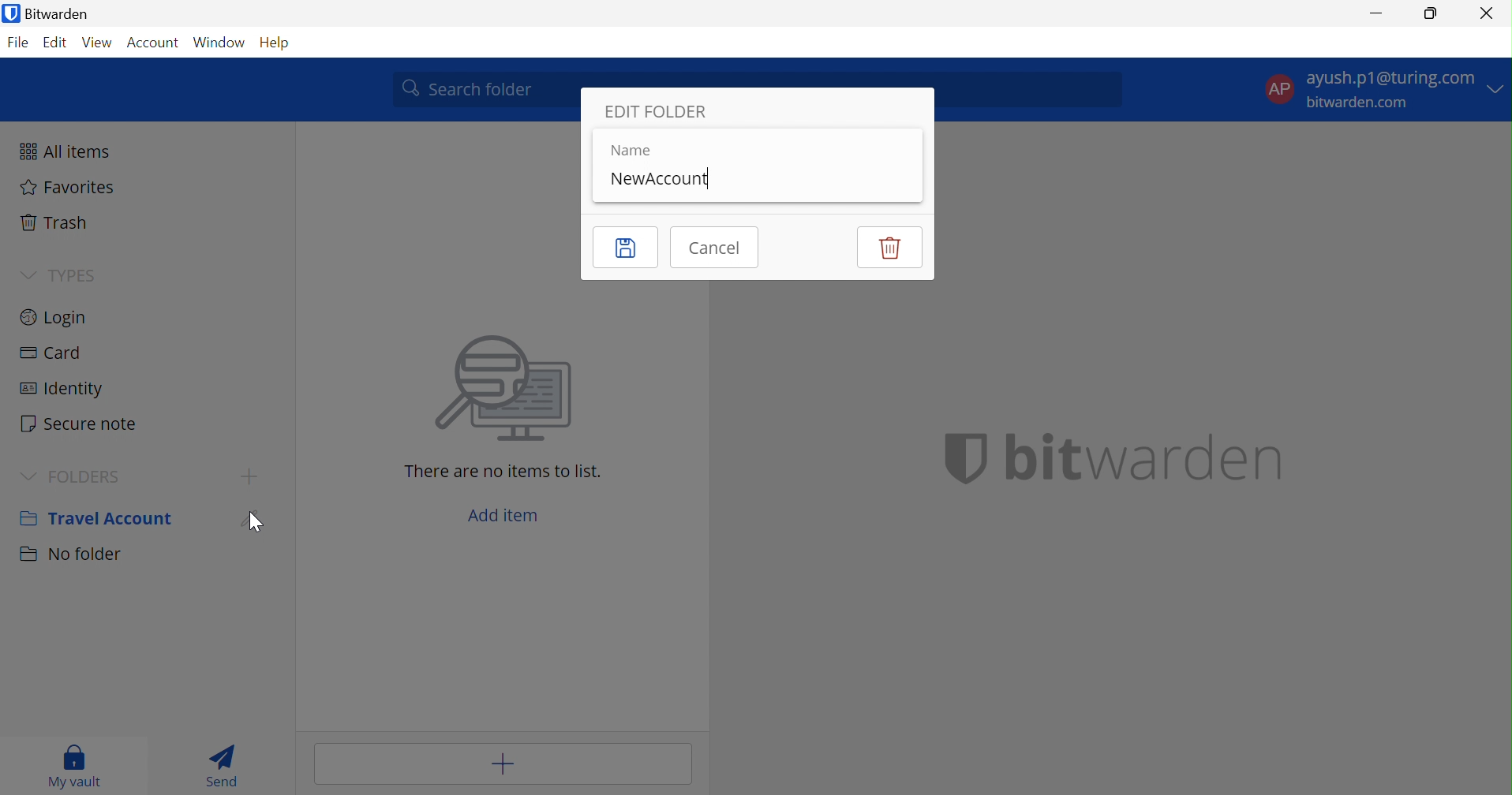 This screenshot has width=1512, height=795. Describe the element at coordinates (661, 180) in the screenshot. I see `NewAccount` at that location.